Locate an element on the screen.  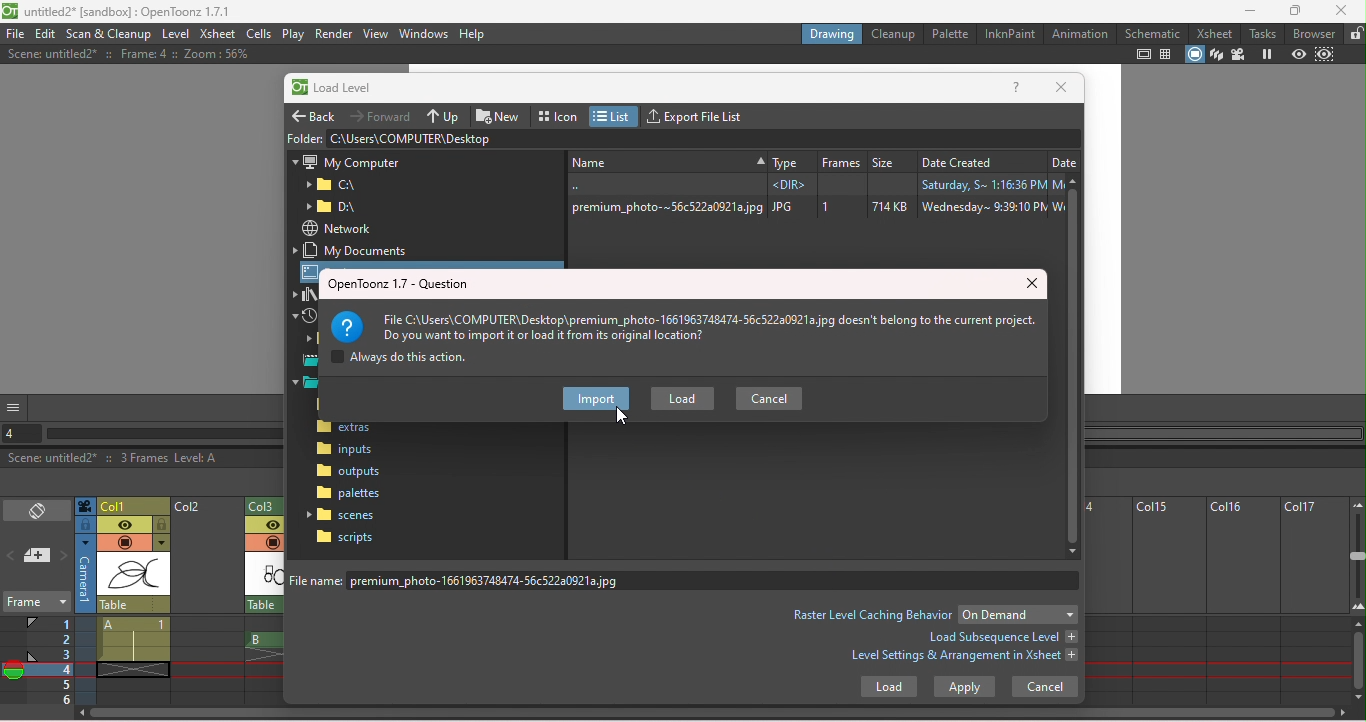
Date  is located at coordinates (1064, 159).